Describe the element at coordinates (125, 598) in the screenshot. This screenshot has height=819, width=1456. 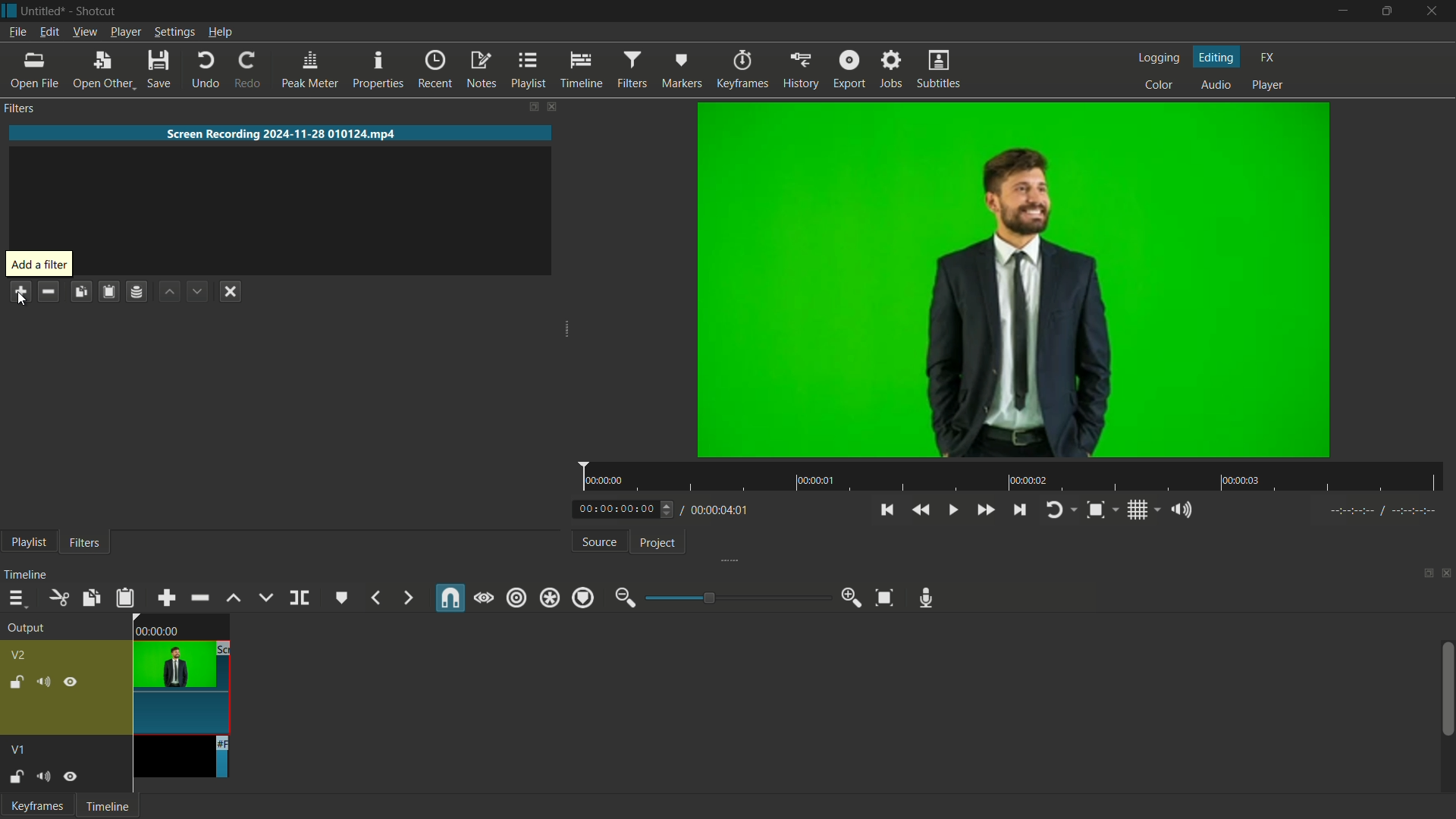
I see `paste` at that location.